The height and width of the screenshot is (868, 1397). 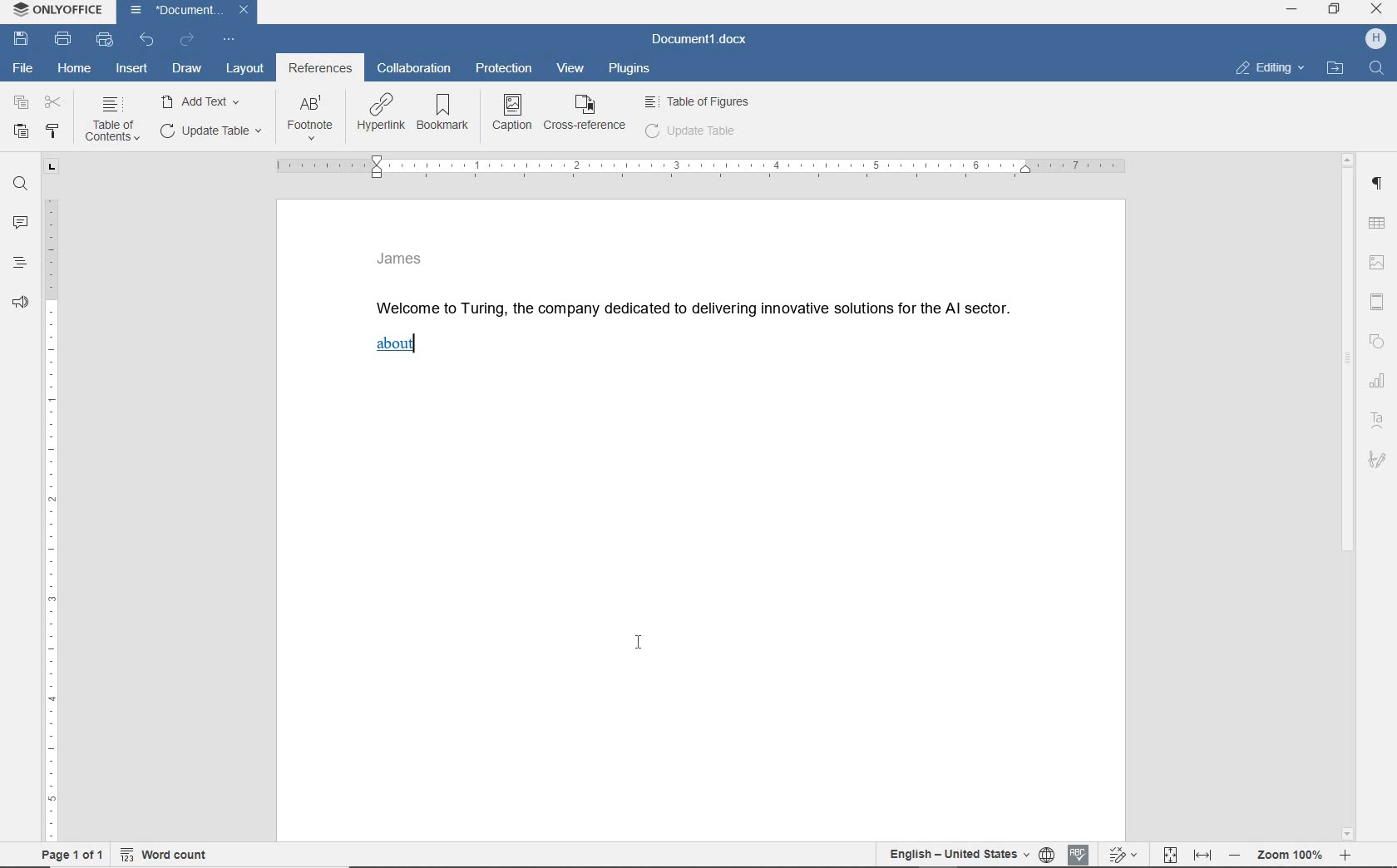 I want to click on English - United States, so click(x=949, y=856).